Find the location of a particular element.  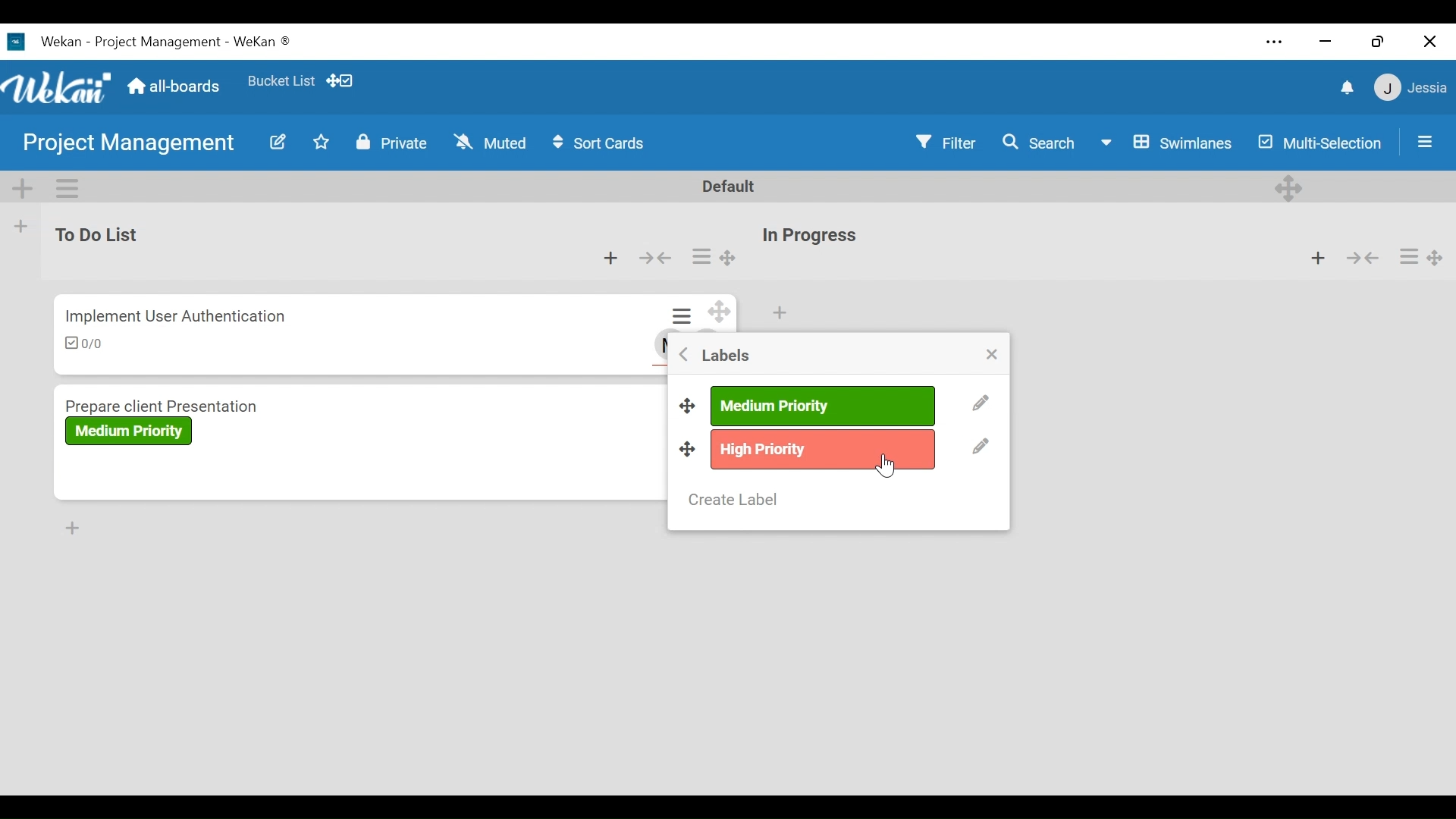

Board Name is located at coordinates (130, 145).